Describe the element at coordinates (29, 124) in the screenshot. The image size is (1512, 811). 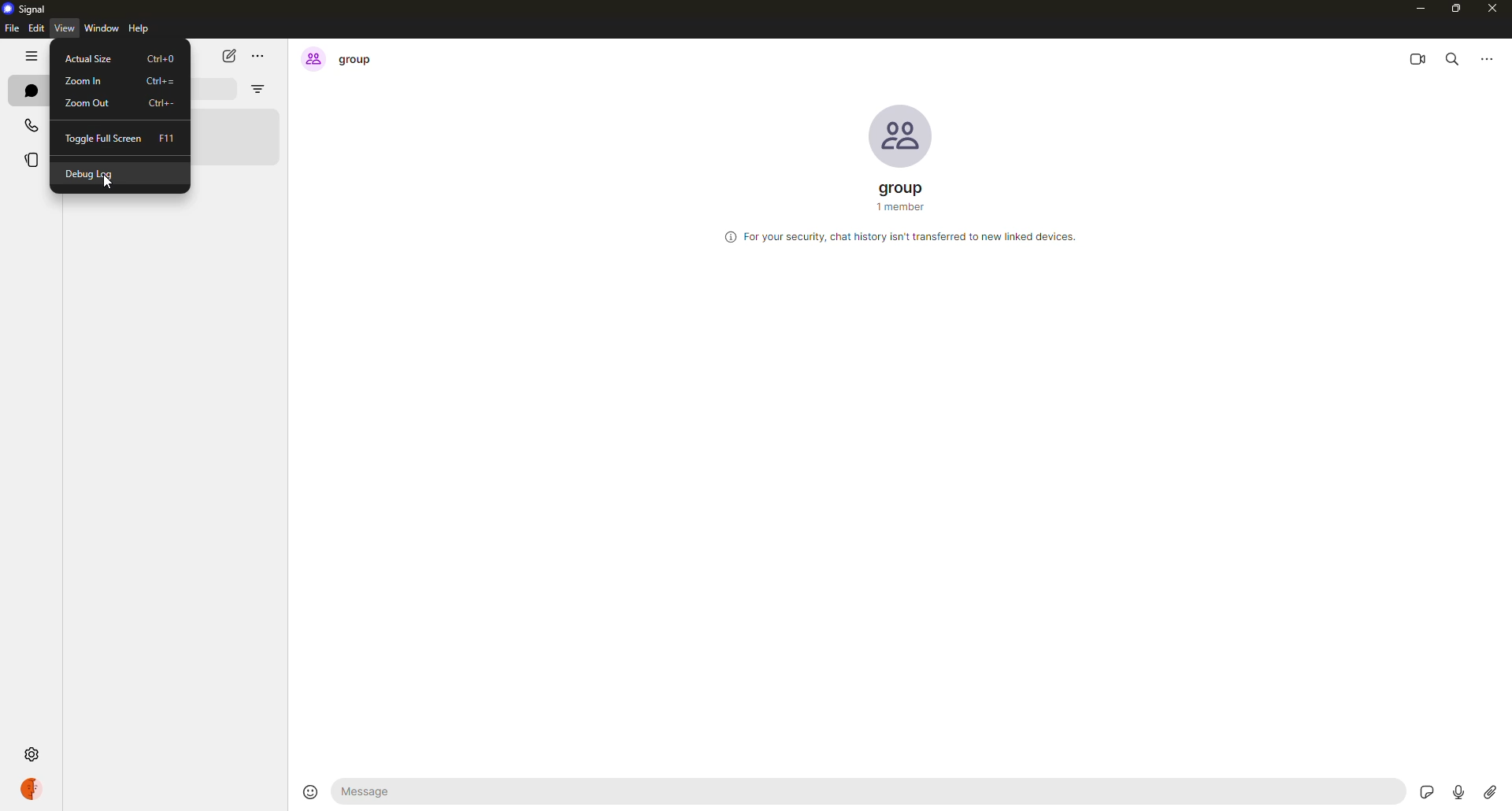
I see `calls` at that location.